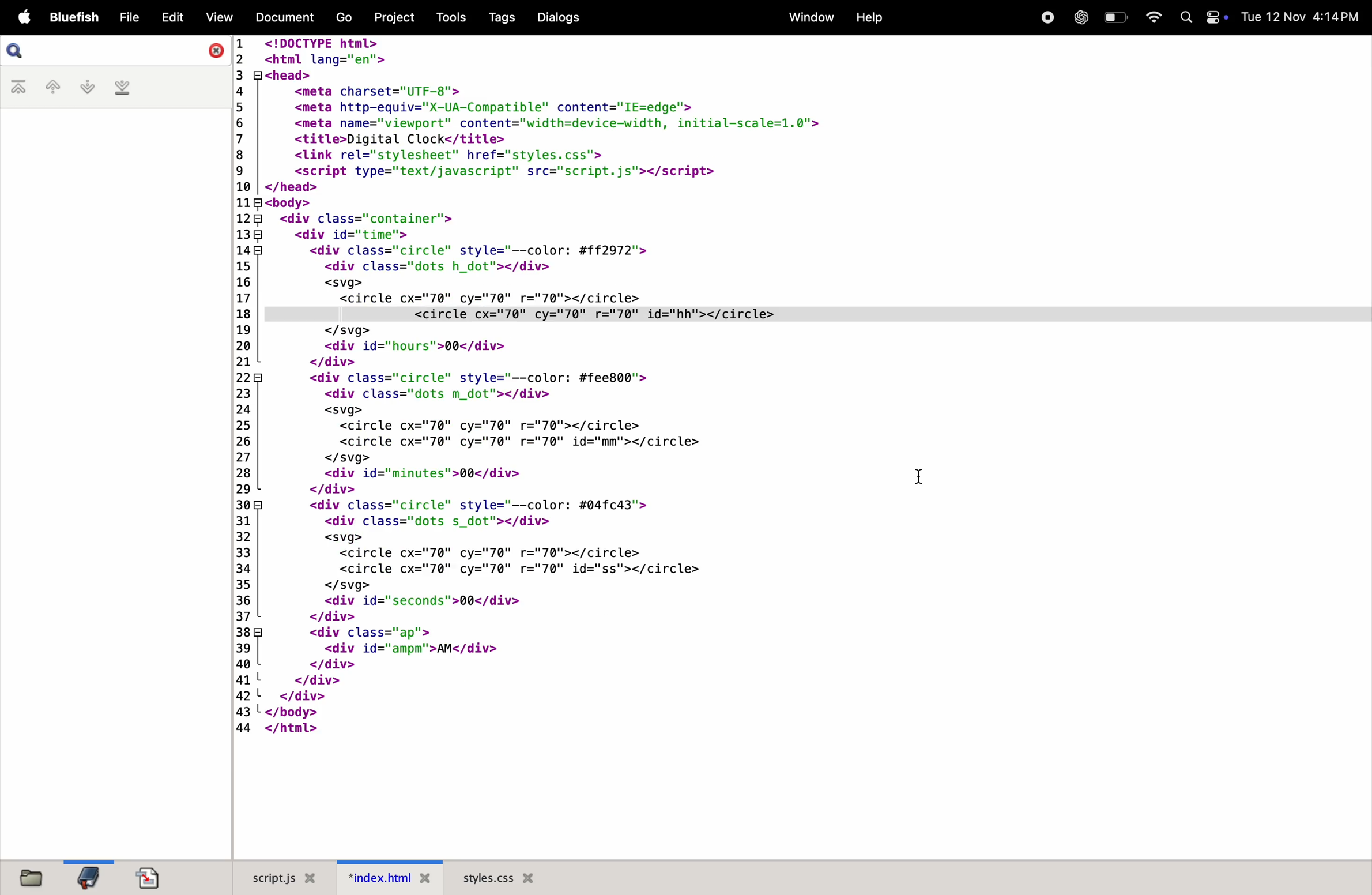 The height and width of the screenshot is (895, 1372). Describe the element at coordinates (241, 386) in the screenshot. I see `line number` at that location.